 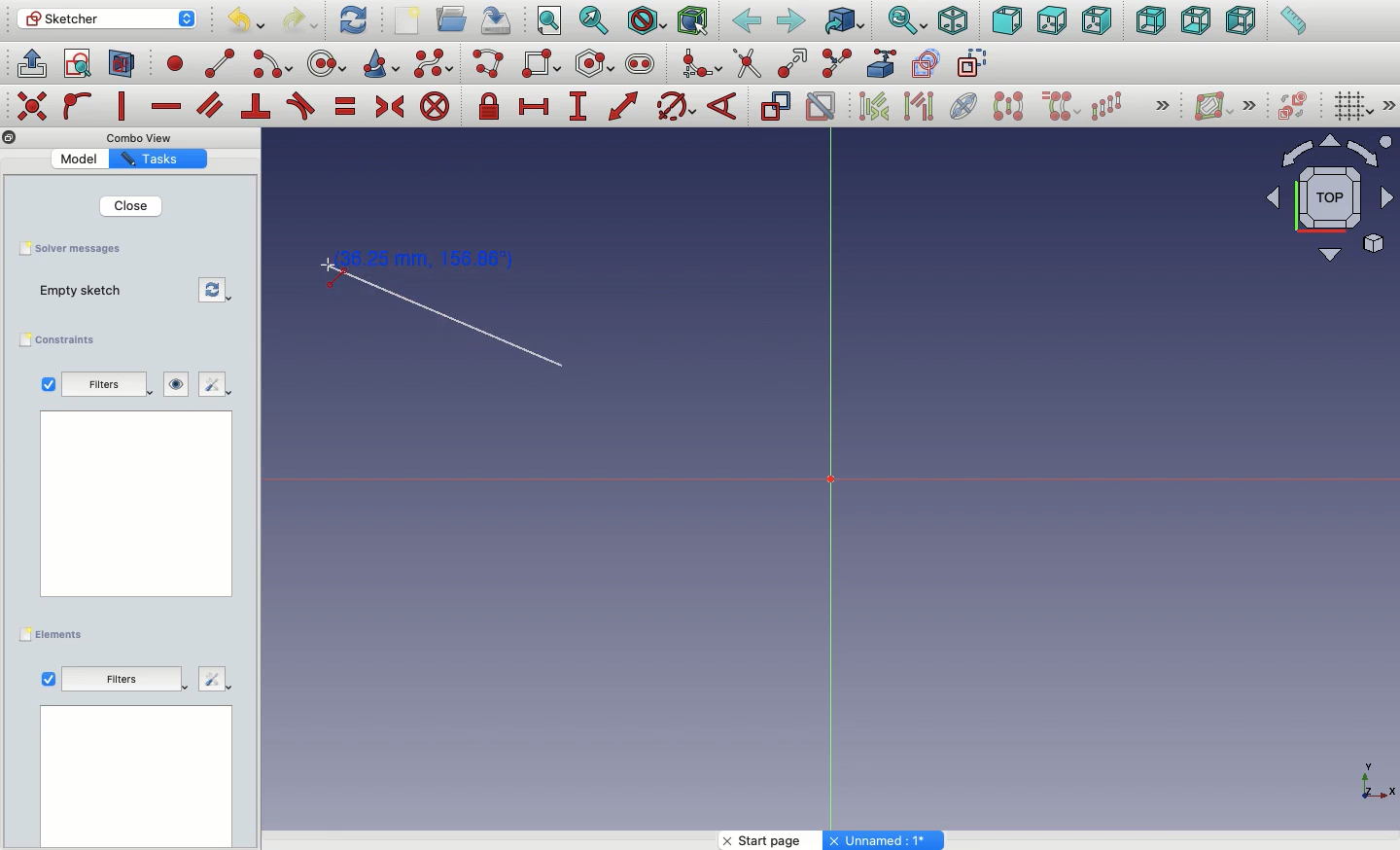 What do you see at coordinates (822, 106) in the screenshot?
I see `Activate/deactivate constraint` at bounding box center [822, 106].